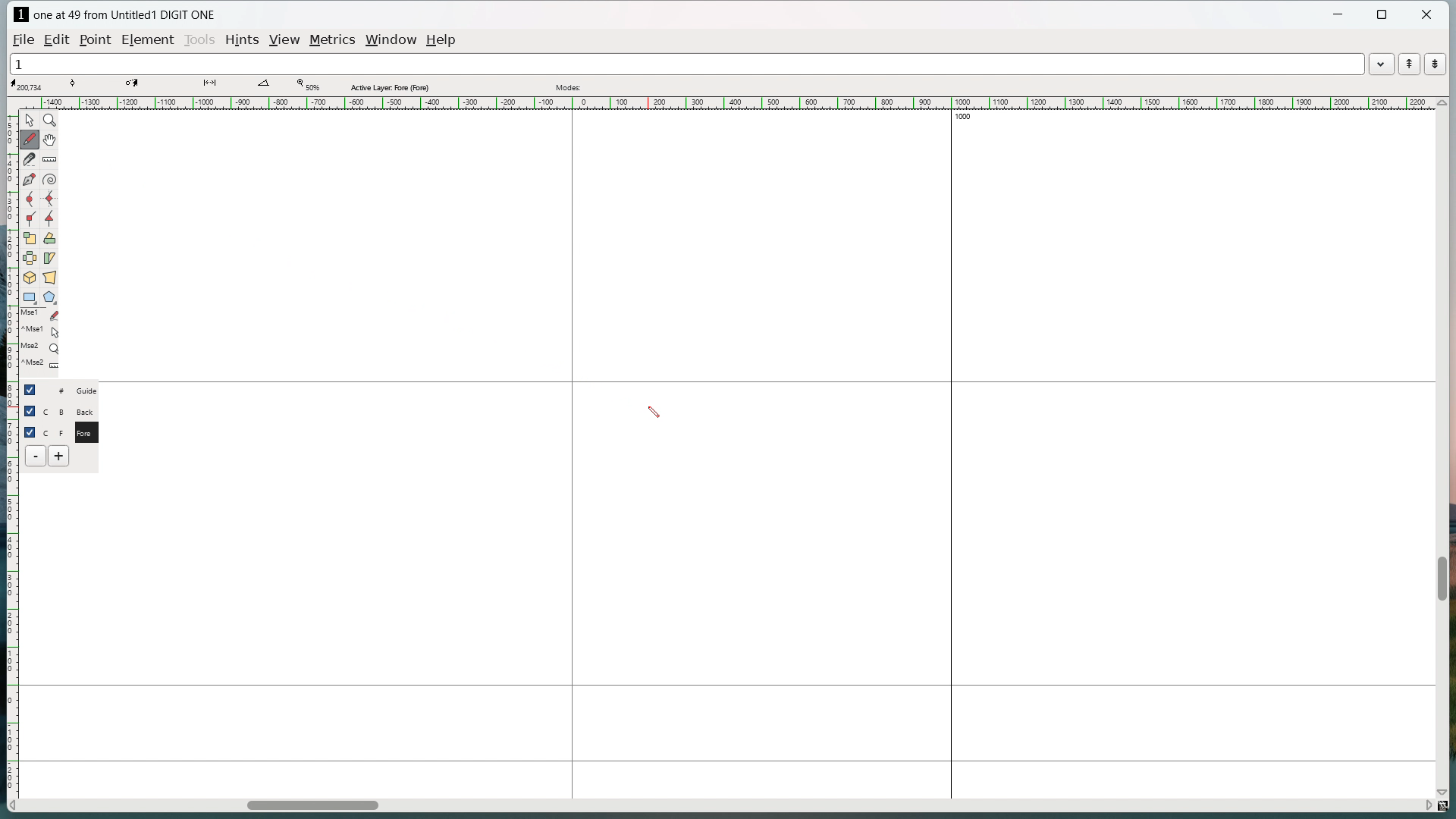 The height and width of the screenshot is (819, 1456). Describe the element at coordinates (49, 218) in the screenshot. I see `add a tangent point` at that location.